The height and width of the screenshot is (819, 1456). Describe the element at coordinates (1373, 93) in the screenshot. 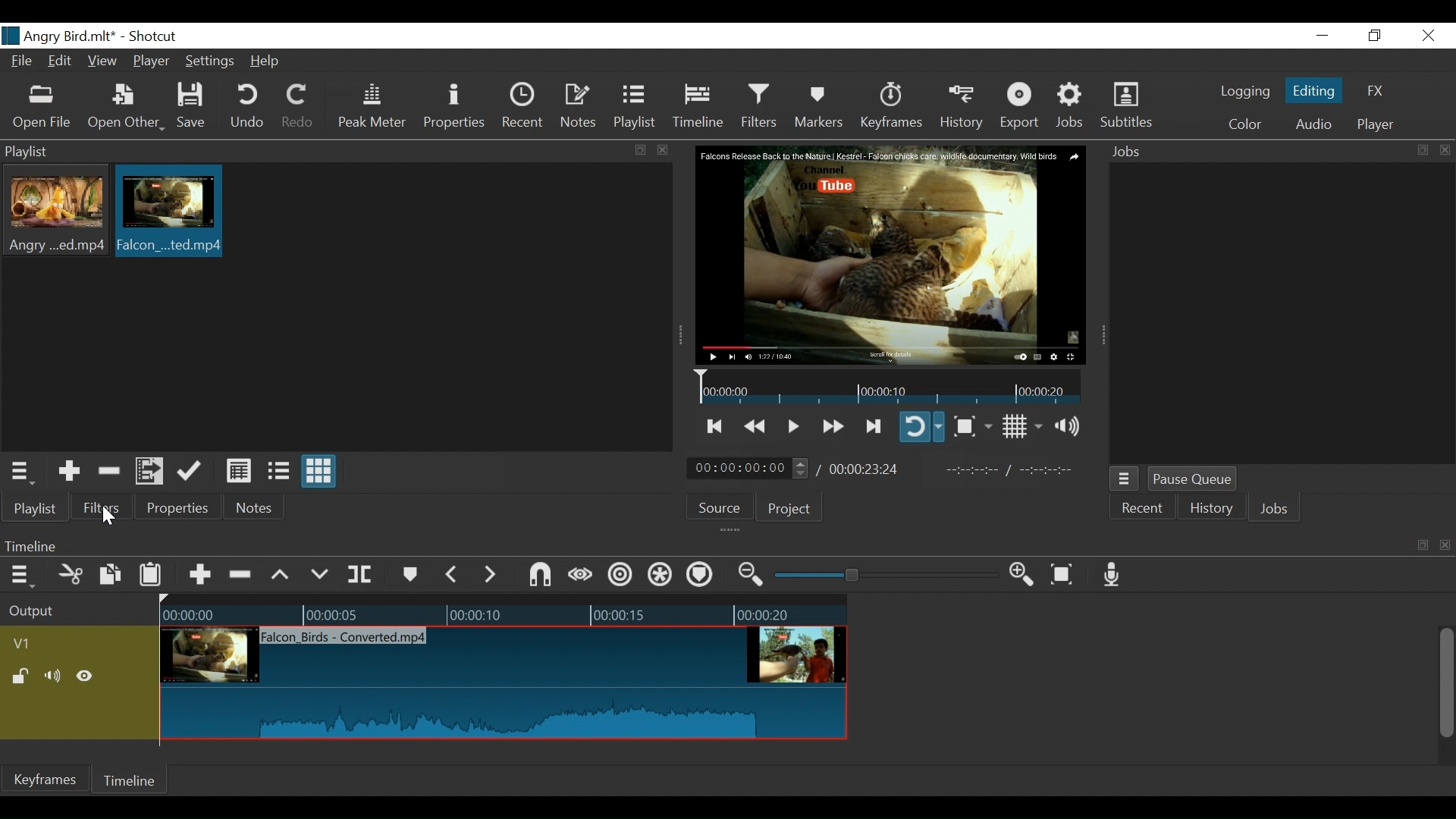

I see `FX` at that location.